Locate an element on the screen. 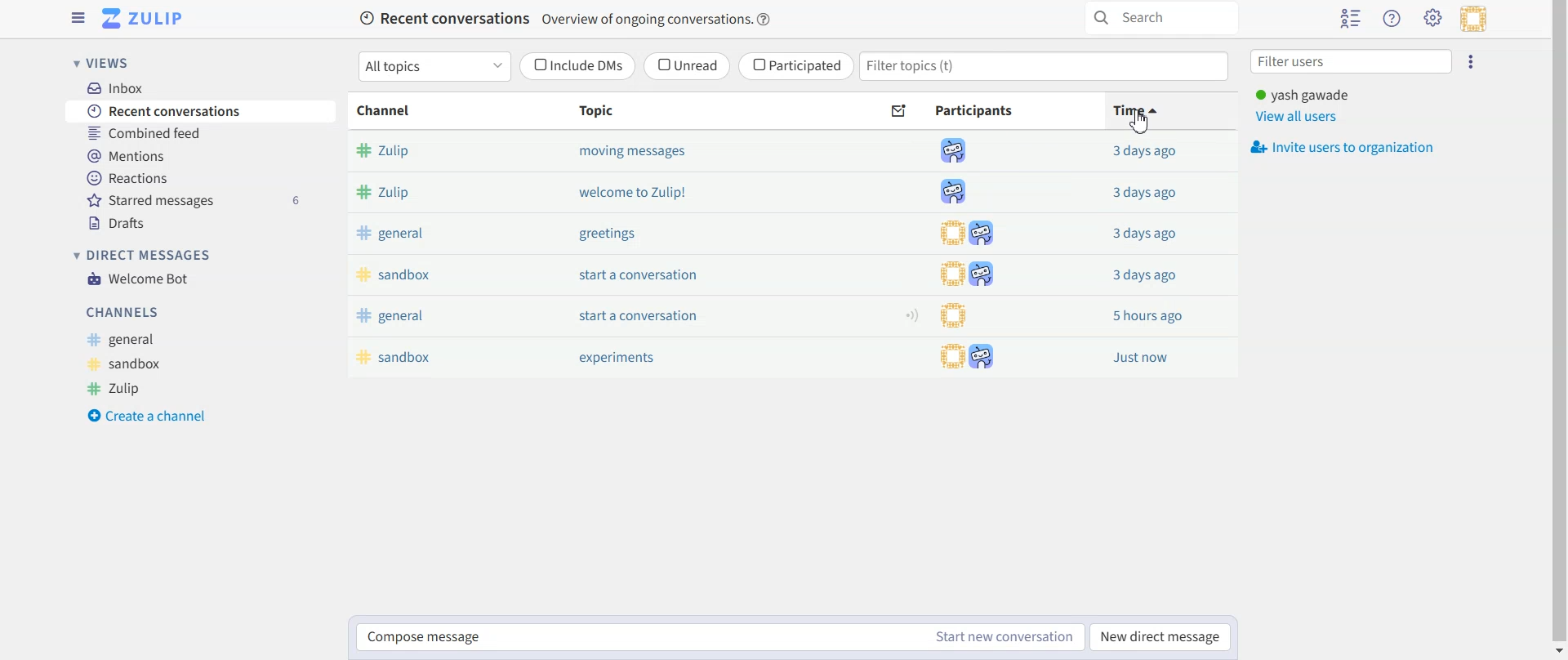 The height and width of the screenshot is (660, 1568). View all users is located at coordinates (1297, 117).